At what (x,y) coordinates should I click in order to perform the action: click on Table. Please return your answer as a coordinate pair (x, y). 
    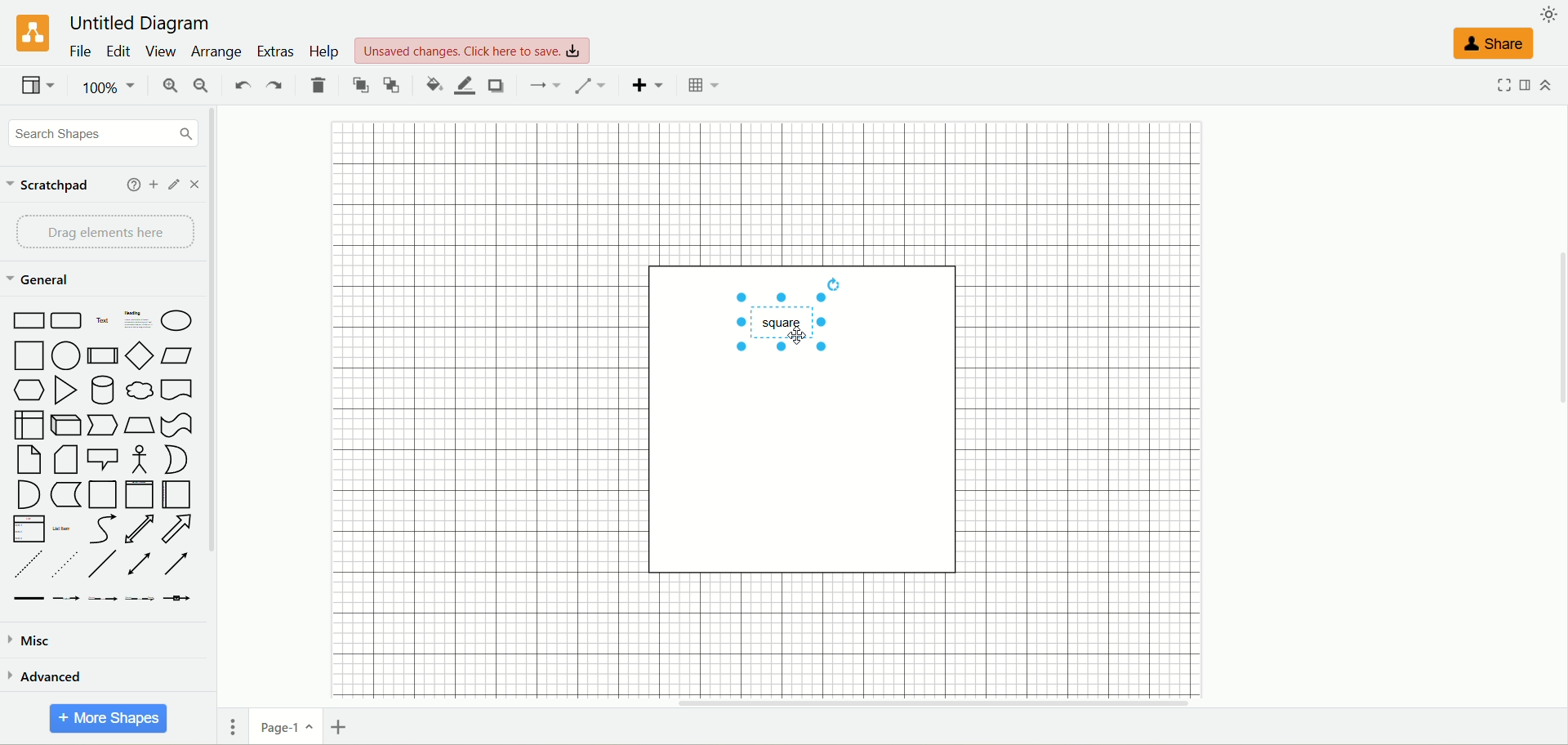
    Looking at the image, I should click on (703, 85).